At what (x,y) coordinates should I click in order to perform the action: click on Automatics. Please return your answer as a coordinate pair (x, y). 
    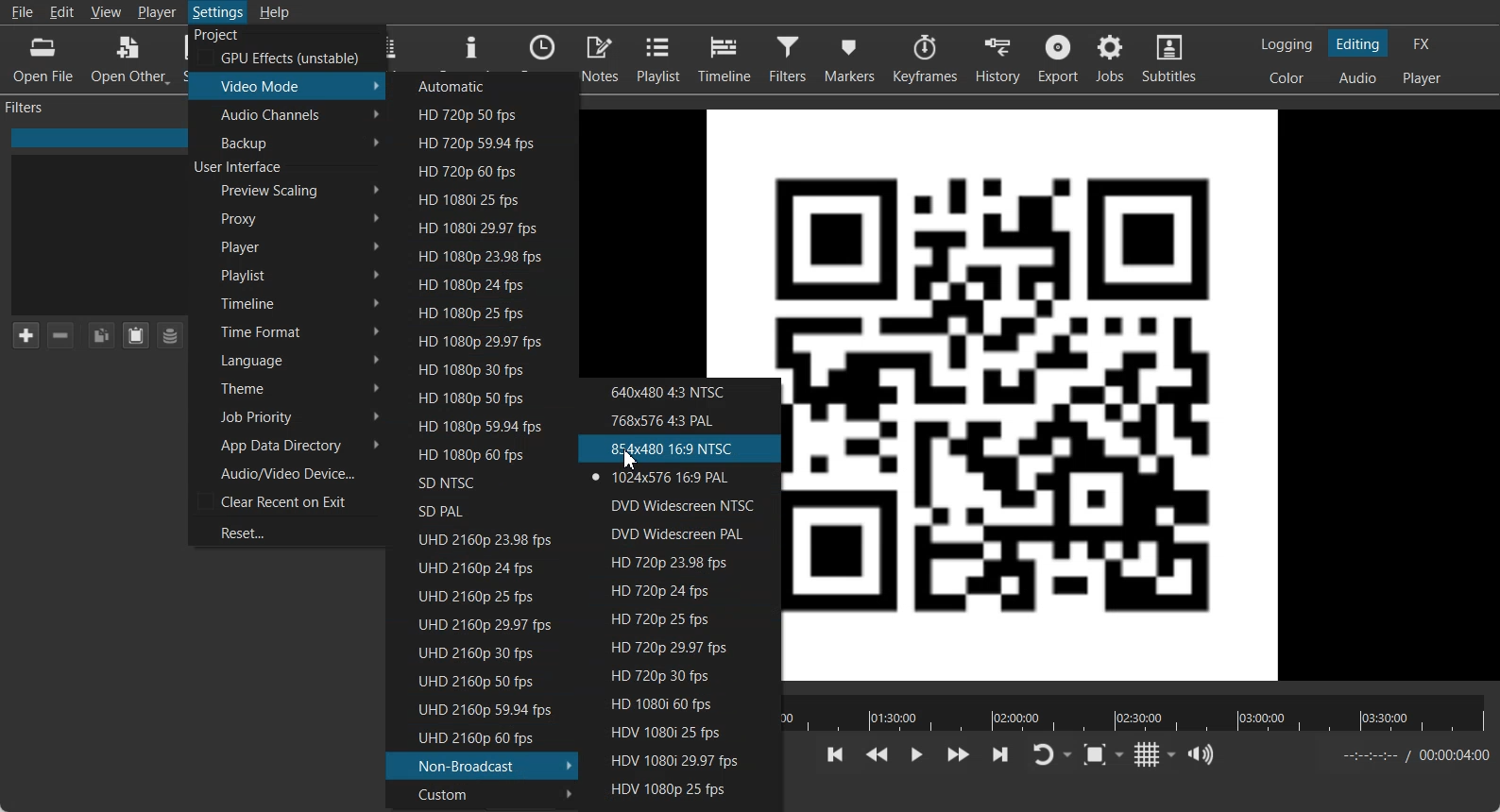
    Looking at the image, I should click on (484, 84).